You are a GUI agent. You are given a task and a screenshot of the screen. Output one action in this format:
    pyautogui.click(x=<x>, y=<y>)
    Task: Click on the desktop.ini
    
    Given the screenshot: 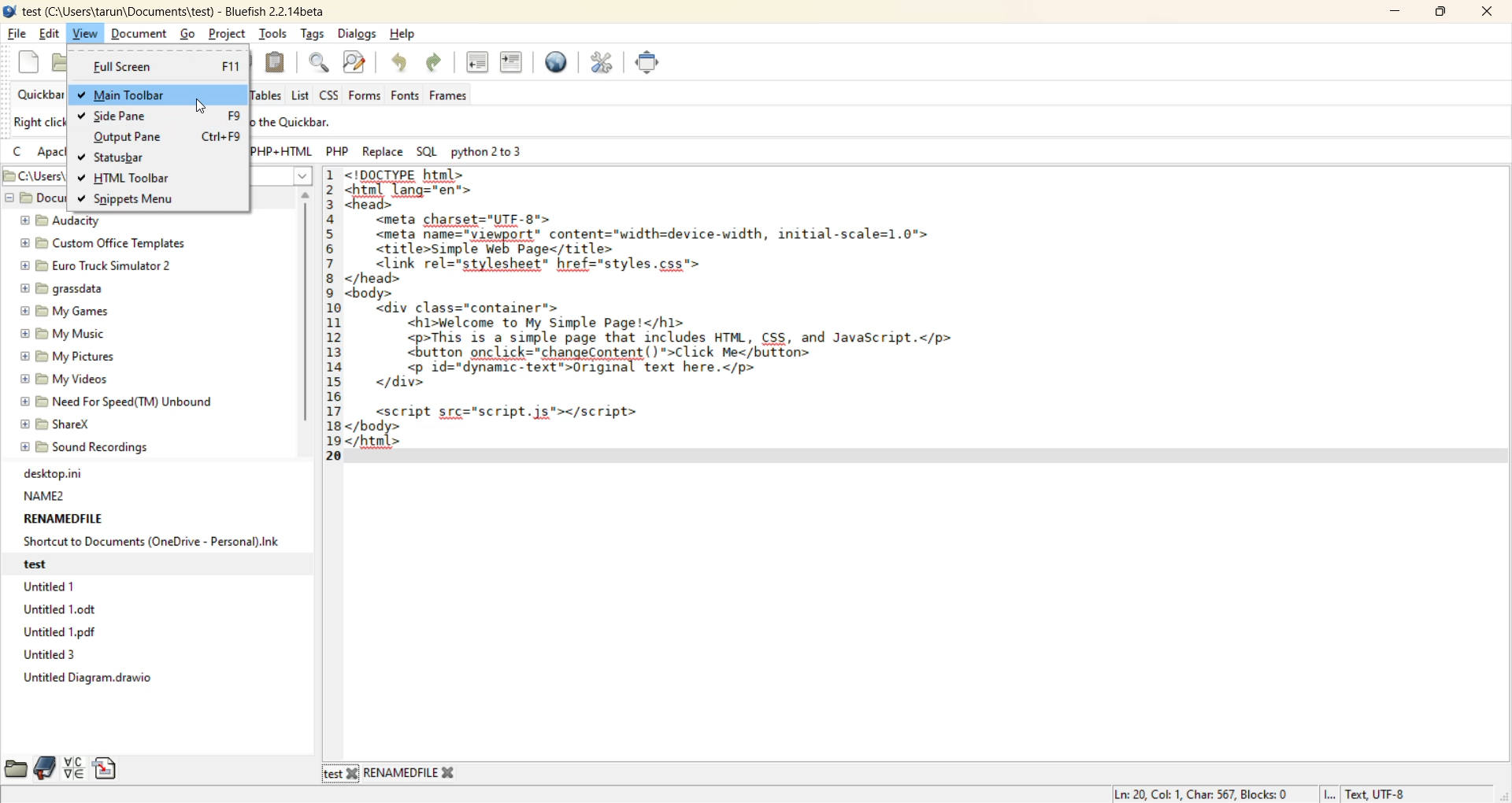 What is the action you would take?
    pyautogui.click(x=51, y=474)
    